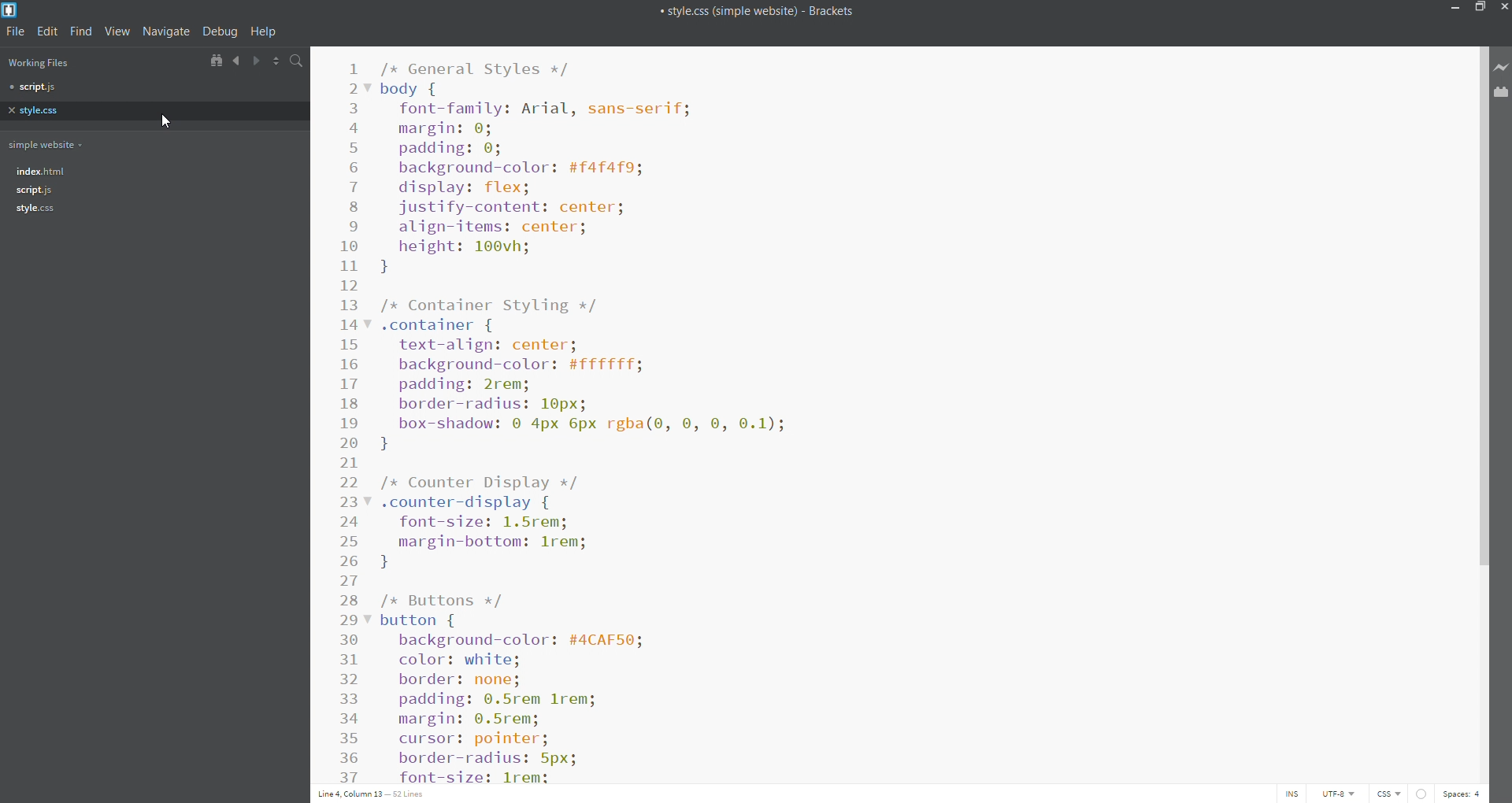 This screenshot has height=803, width=1512. What do you see at coordinates (1426, 793) in the screenshot?
I see `errors` at bounding box center [1426, 793].